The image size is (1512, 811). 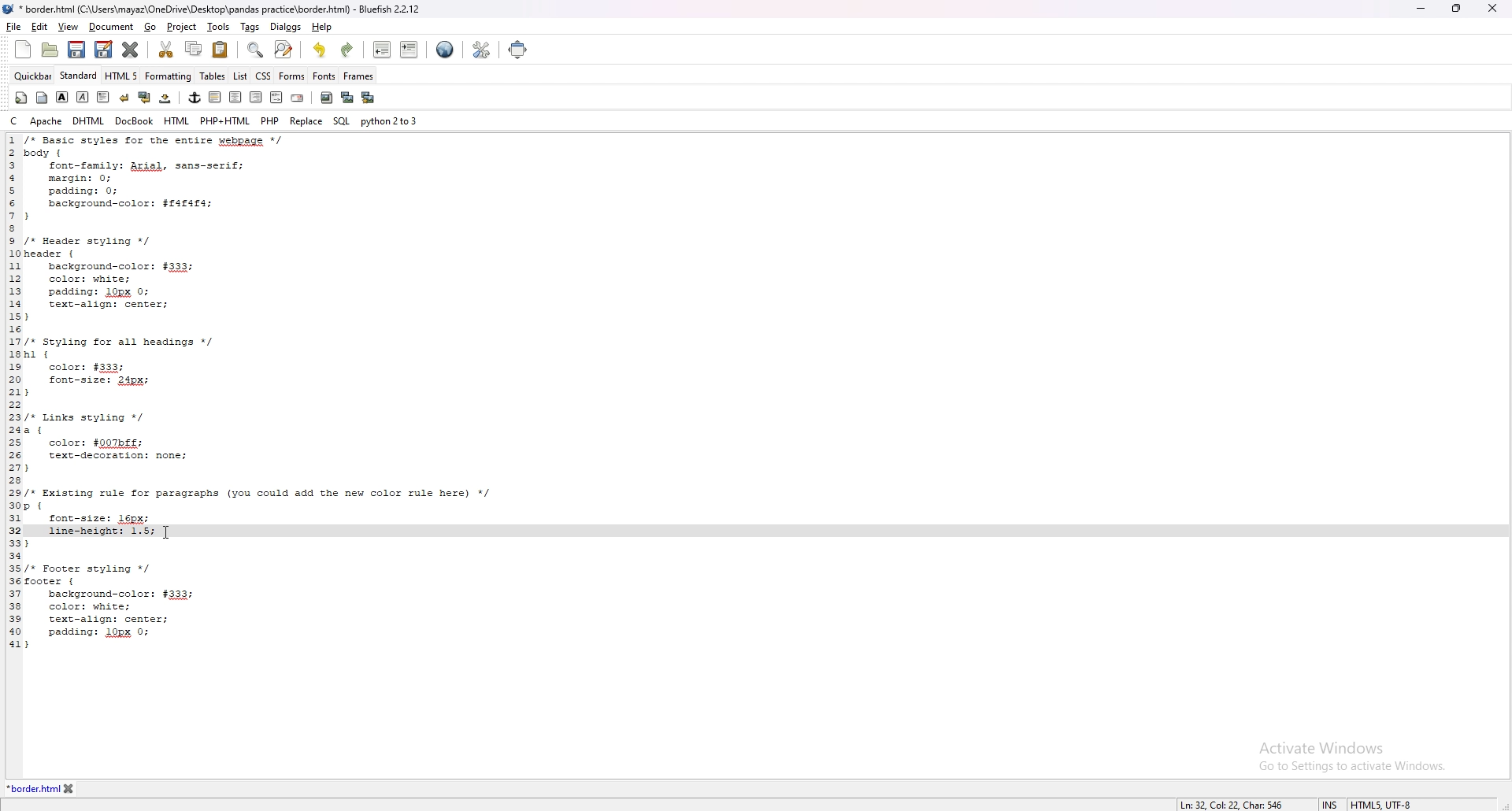 What do you see at coordinates (31, 787) in the screenshot?
I see `tab` at bounding box center [31, 787].